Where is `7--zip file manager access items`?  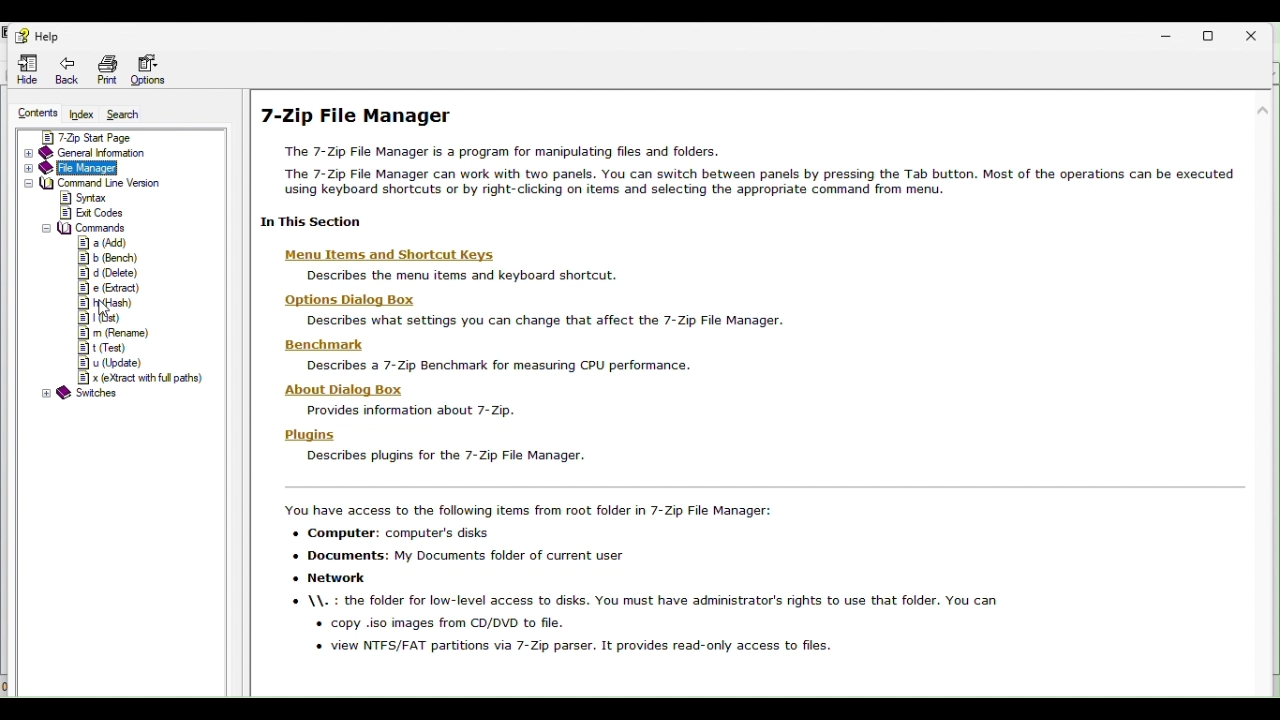 7--zip file manager access items is located at coordinates (762, 583).